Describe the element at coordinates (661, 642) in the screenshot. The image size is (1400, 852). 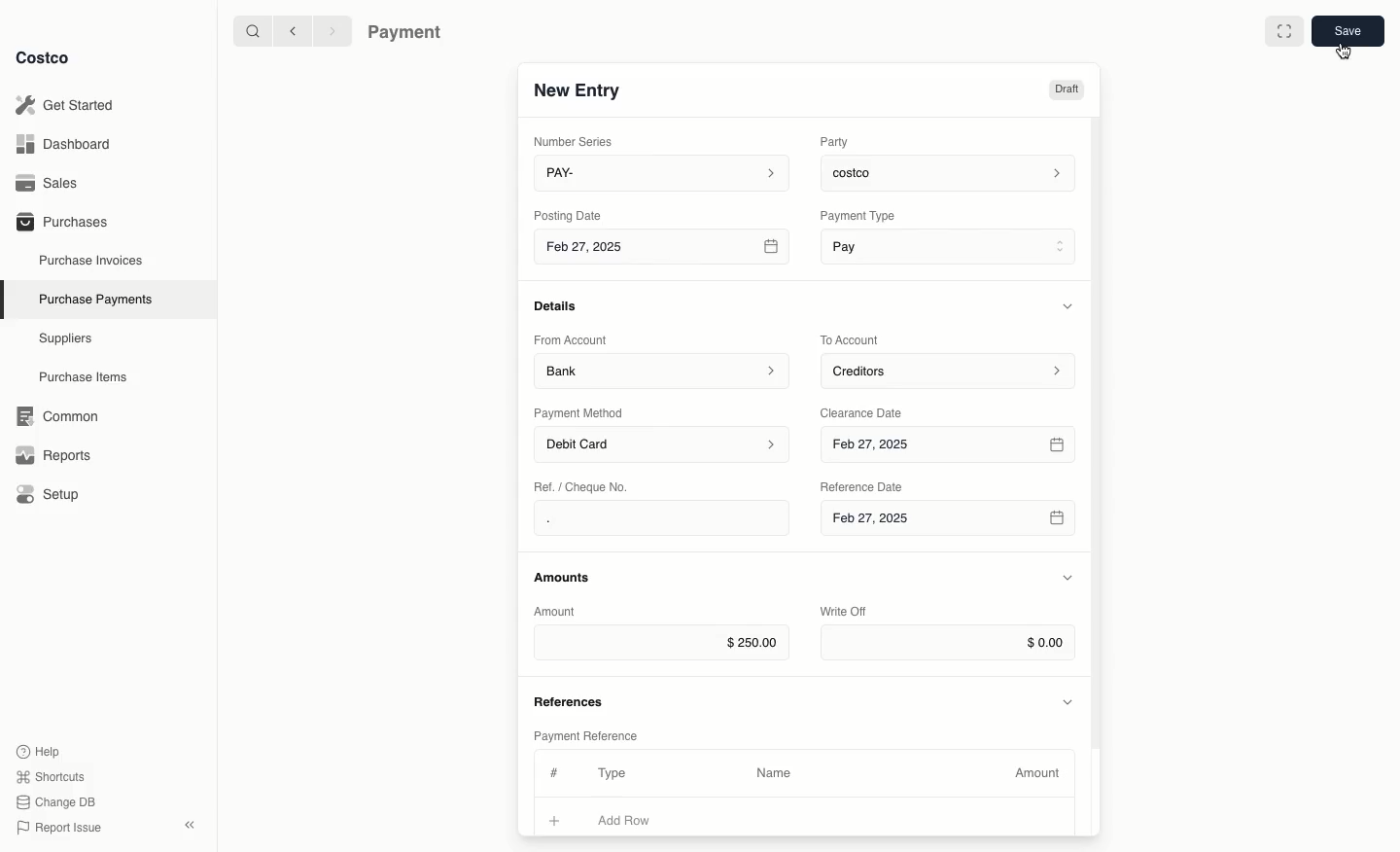
I see `$250.00` at that location.